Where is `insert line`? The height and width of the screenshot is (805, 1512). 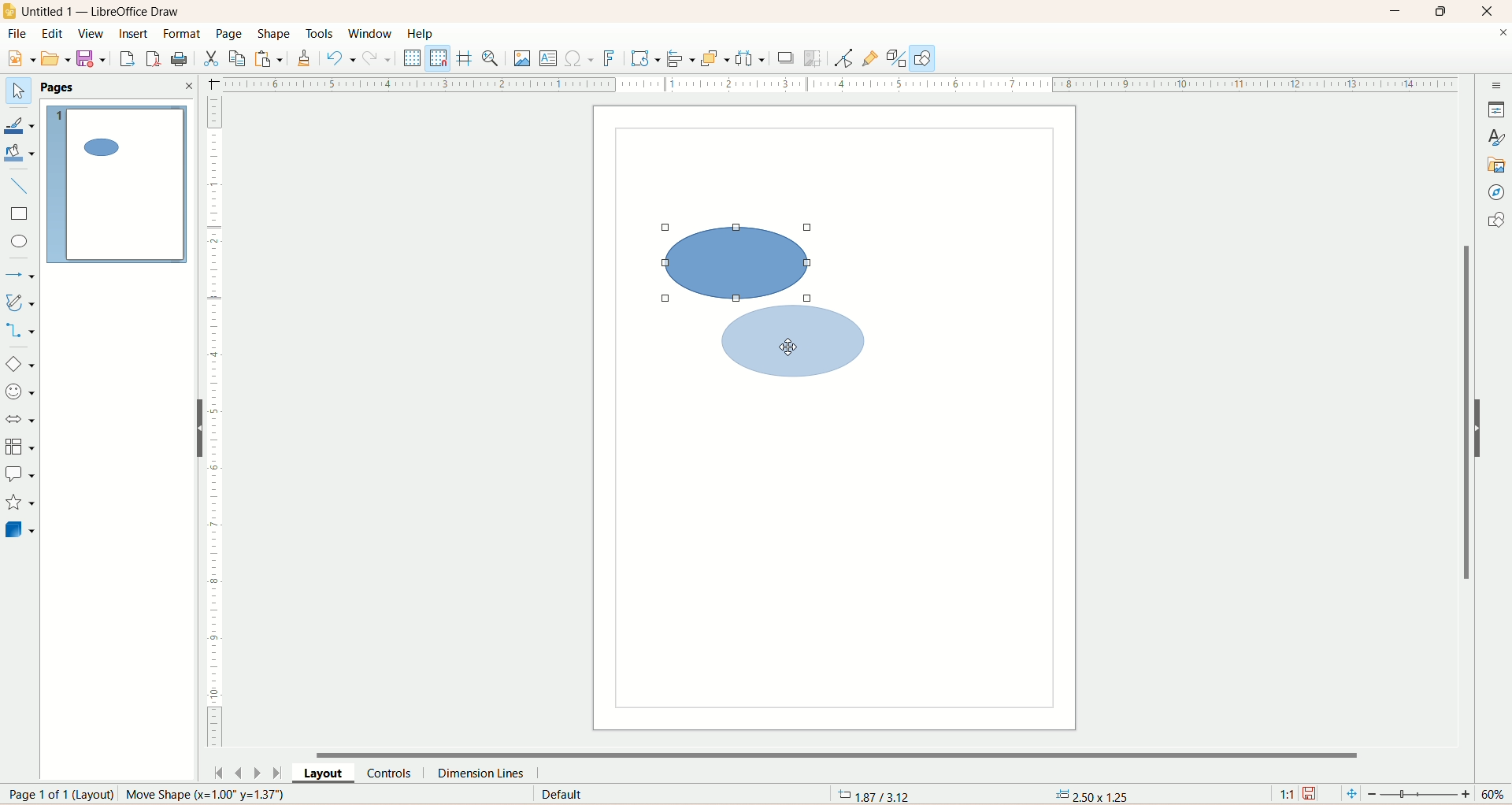 insert line is located at coordinates (19, 185).